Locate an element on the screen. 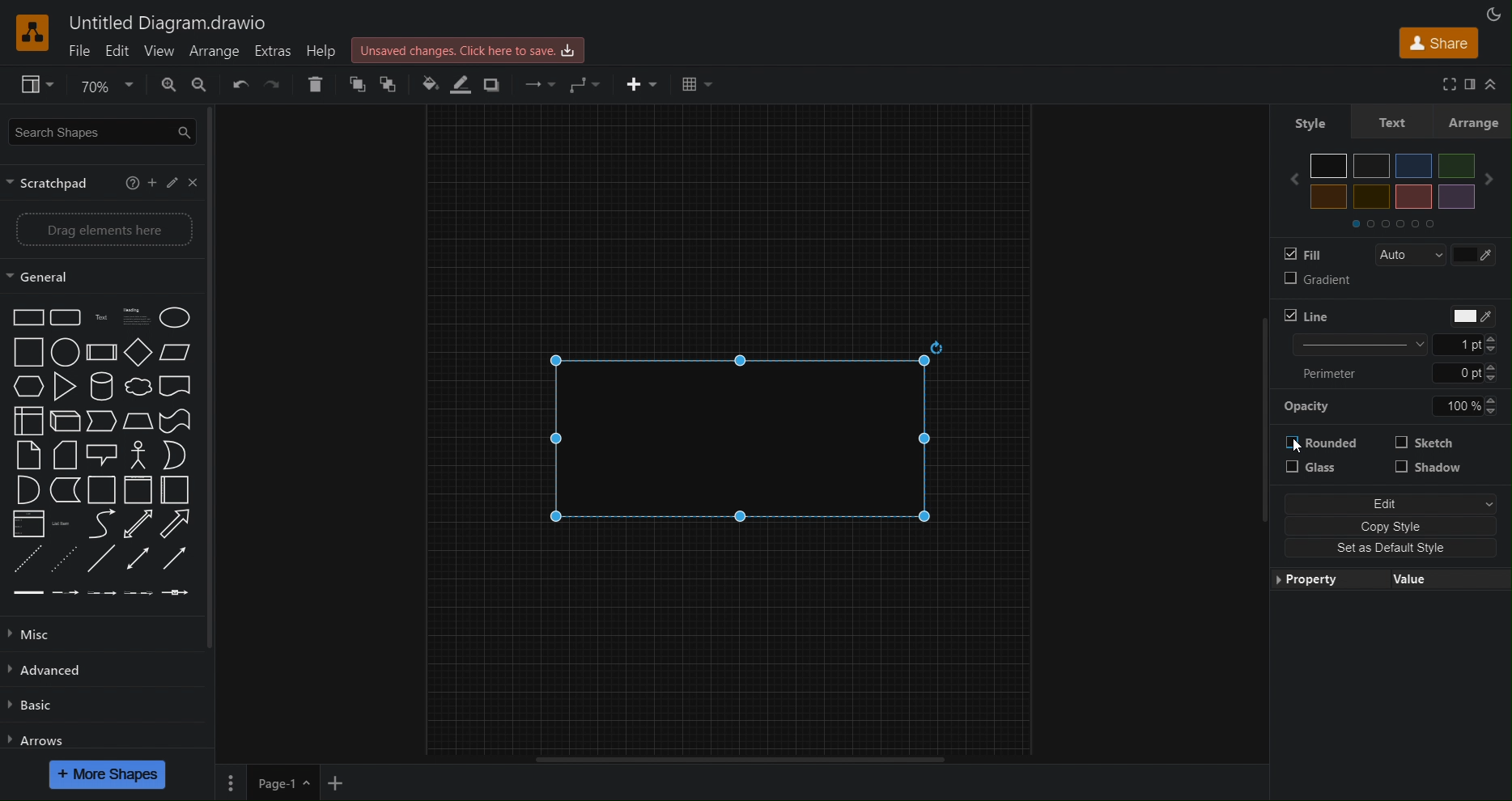  Perimeter size is located at coordinates (1394, 374).